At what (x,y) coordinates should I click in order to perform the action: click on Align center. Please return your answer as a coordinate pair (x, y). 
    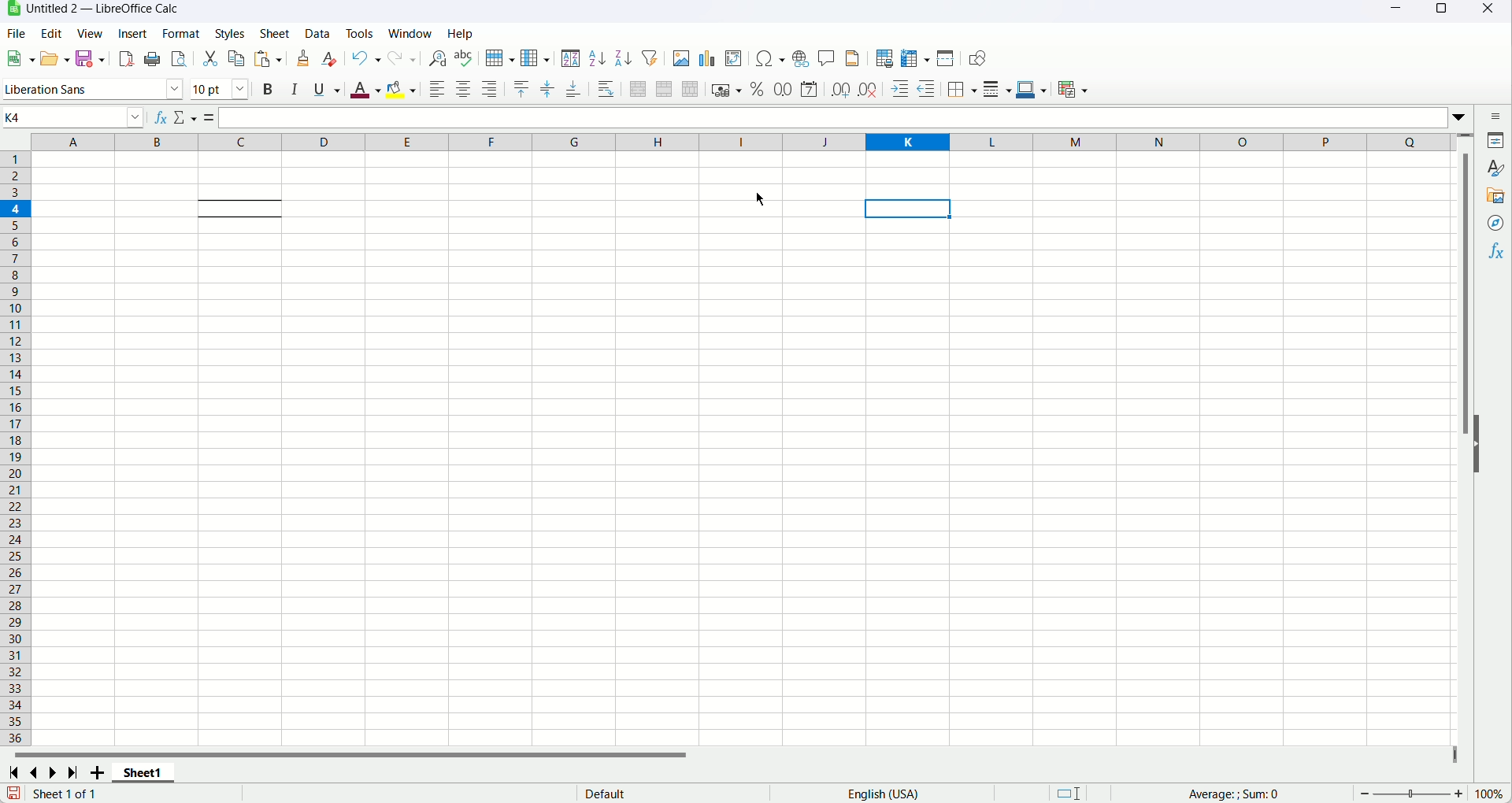
    Looking at the image, I should click on (465, 90).